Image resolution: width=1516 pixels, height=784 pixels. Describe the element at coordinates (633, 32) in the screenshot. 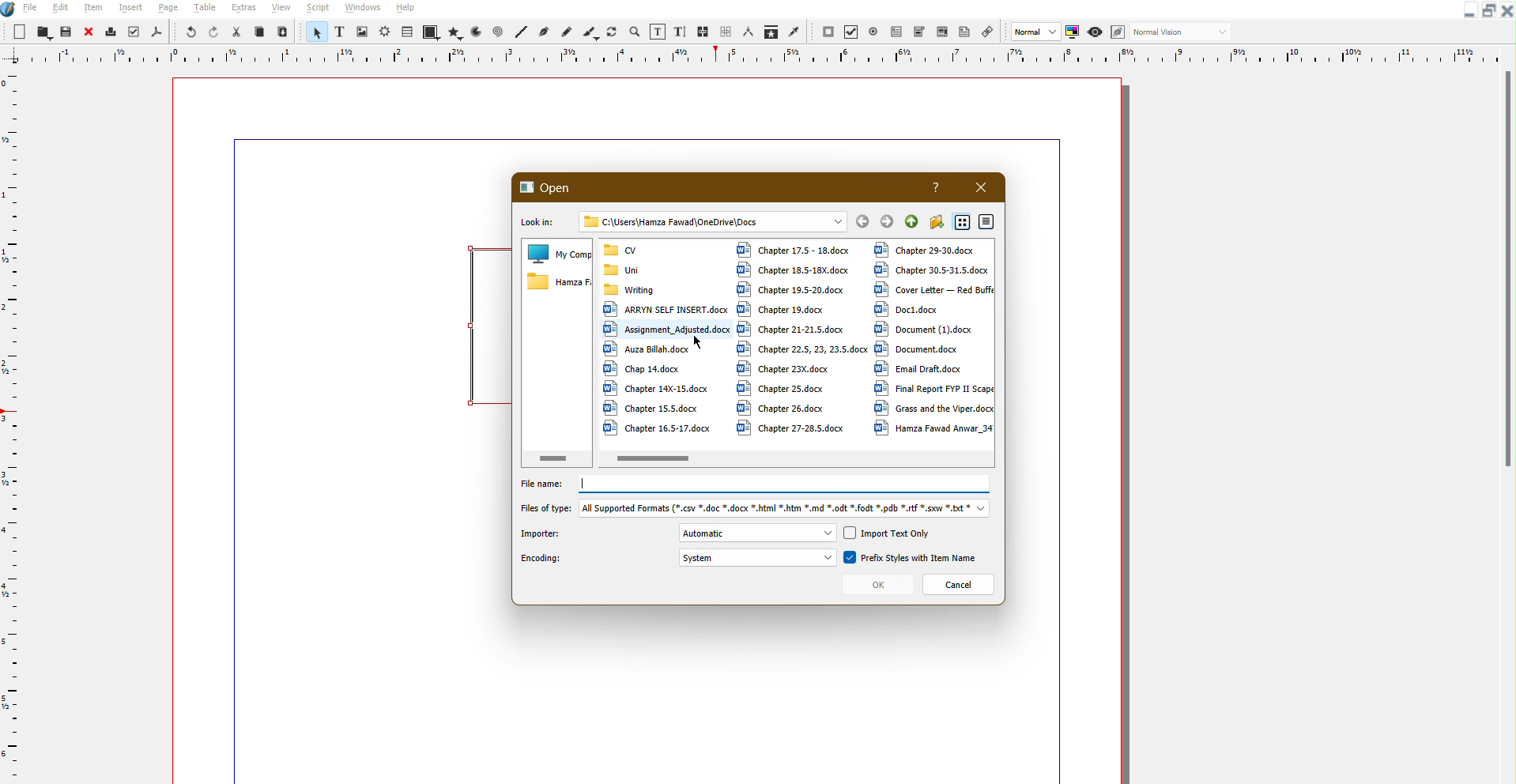

I see `Zoom In and Out` at that location.